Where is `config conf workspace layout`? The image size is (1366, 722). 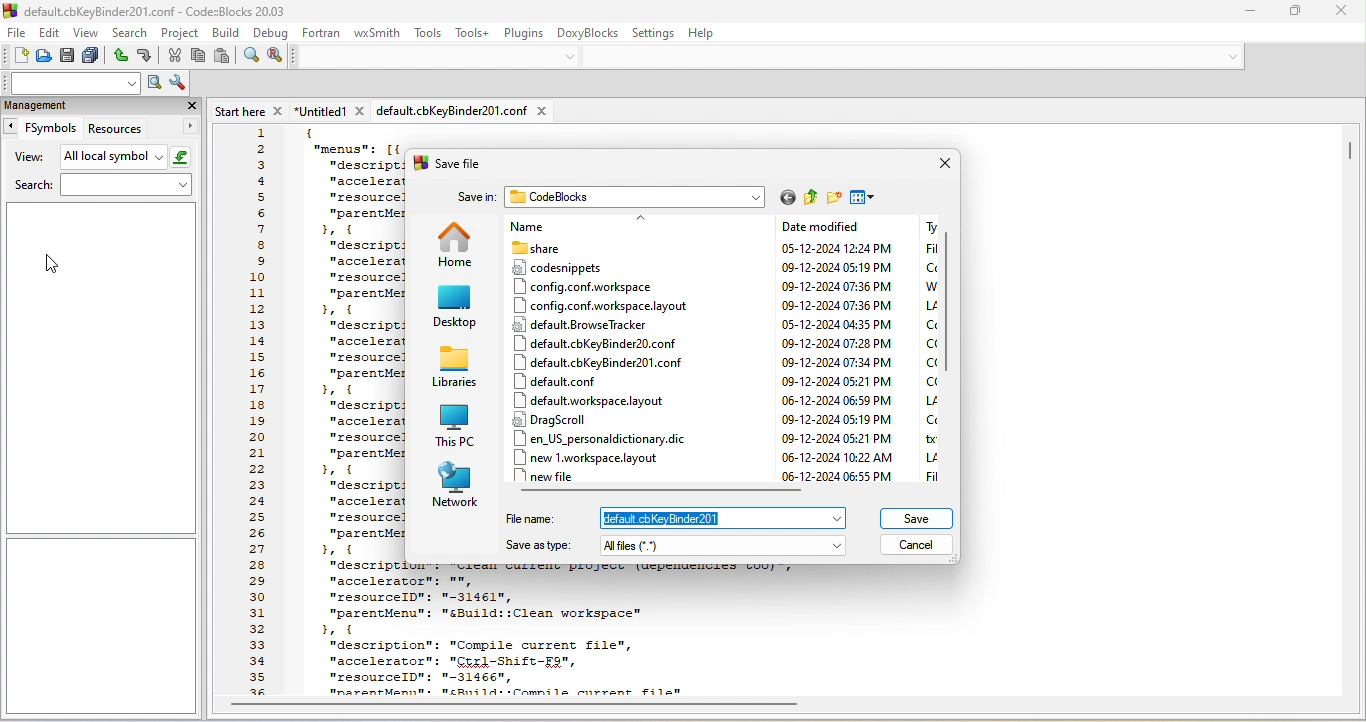 config conf workspace layout is located at coordinates (596, 306).